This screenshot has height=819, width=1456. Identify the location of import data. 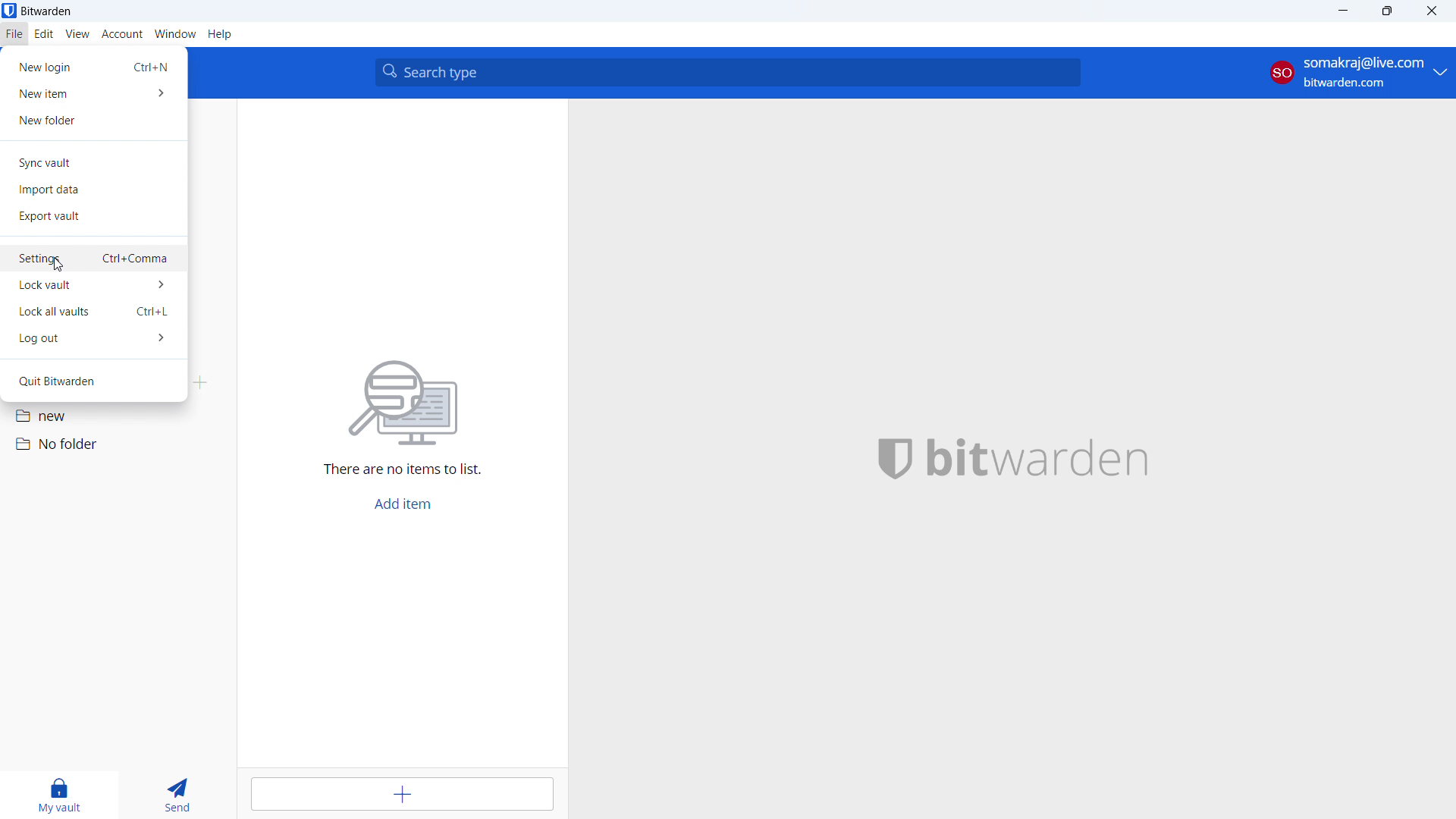
(93, 190).